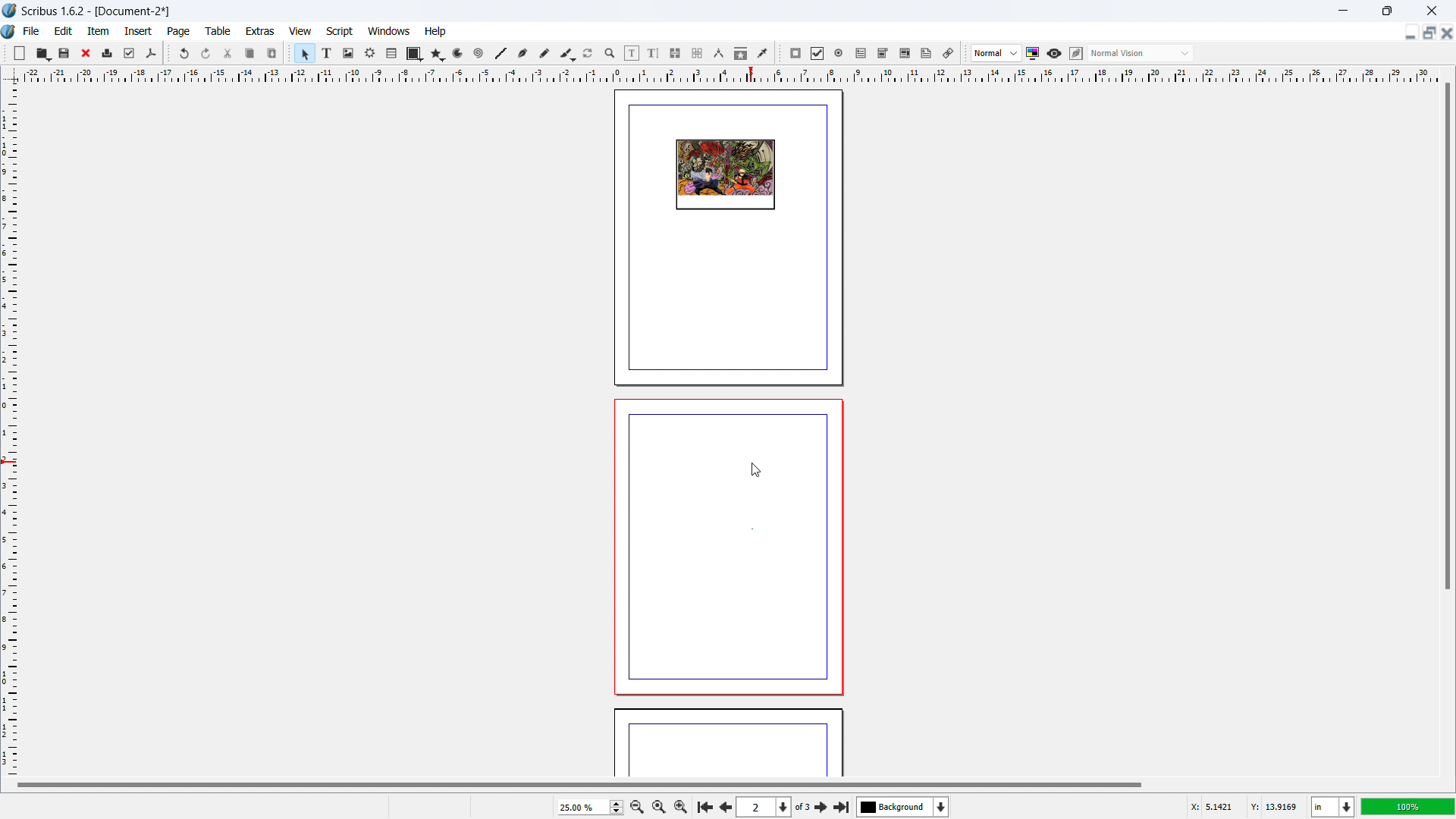 This screenshot has height=819, width=1456. Describe the element at coordinates (522, 54) in the screenshot. I see `bezier curve` at that location.